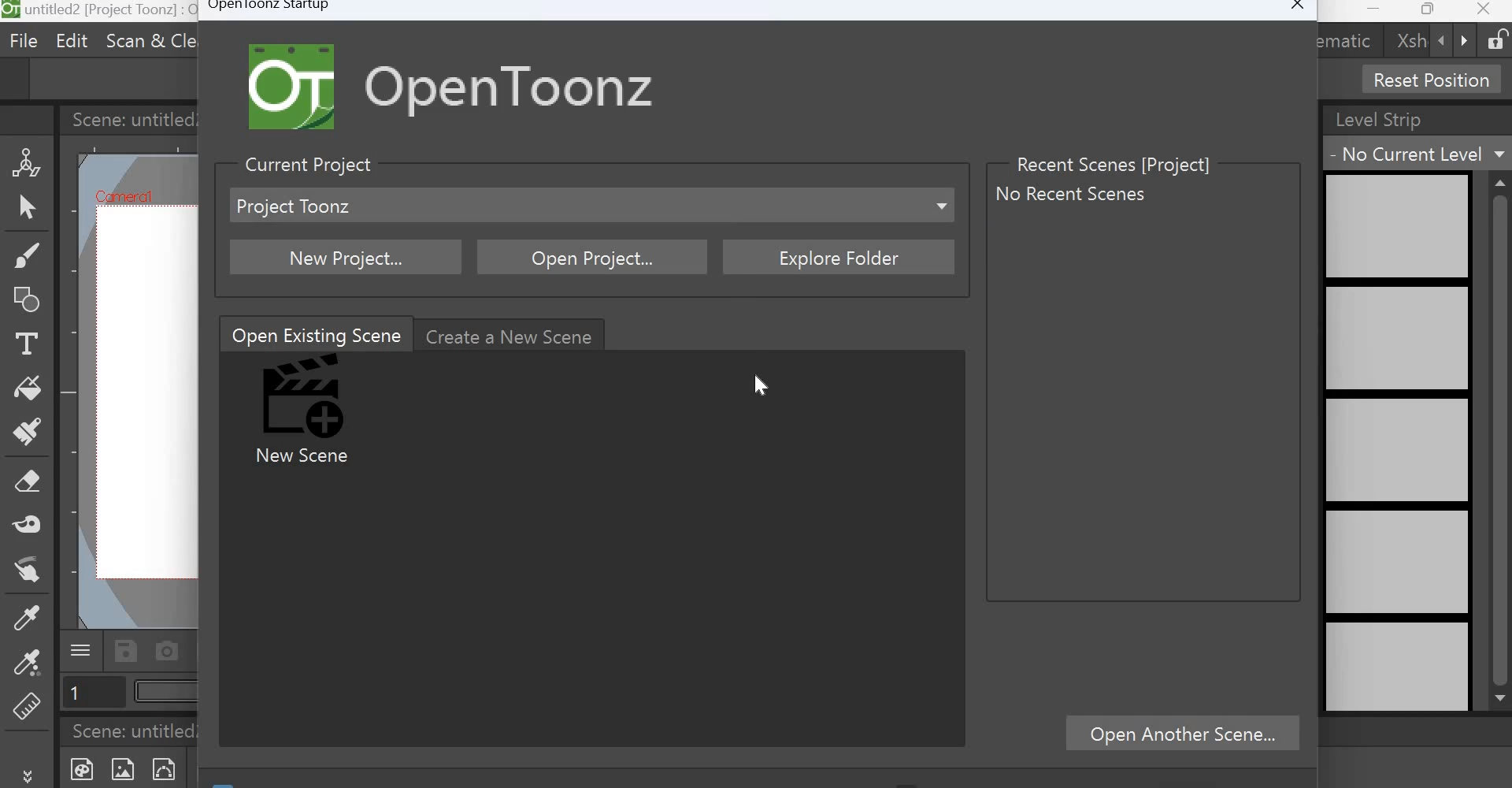  Describe the element at coordinates (1299, 11) in the screenshot. I see `Close window` at that location.